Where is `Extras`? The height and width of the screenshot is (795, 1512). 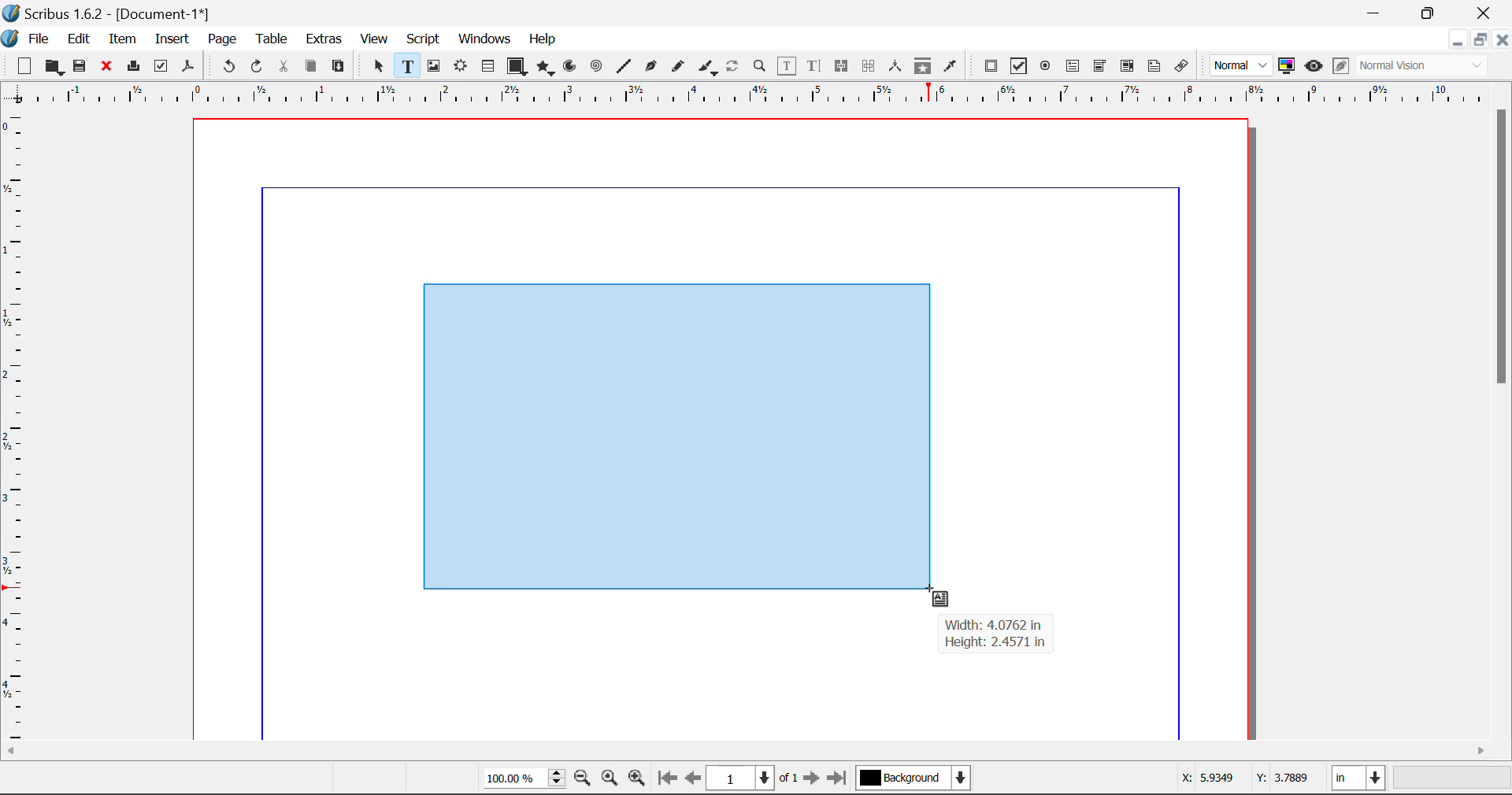 Extras is located at coordinates (325, 39).